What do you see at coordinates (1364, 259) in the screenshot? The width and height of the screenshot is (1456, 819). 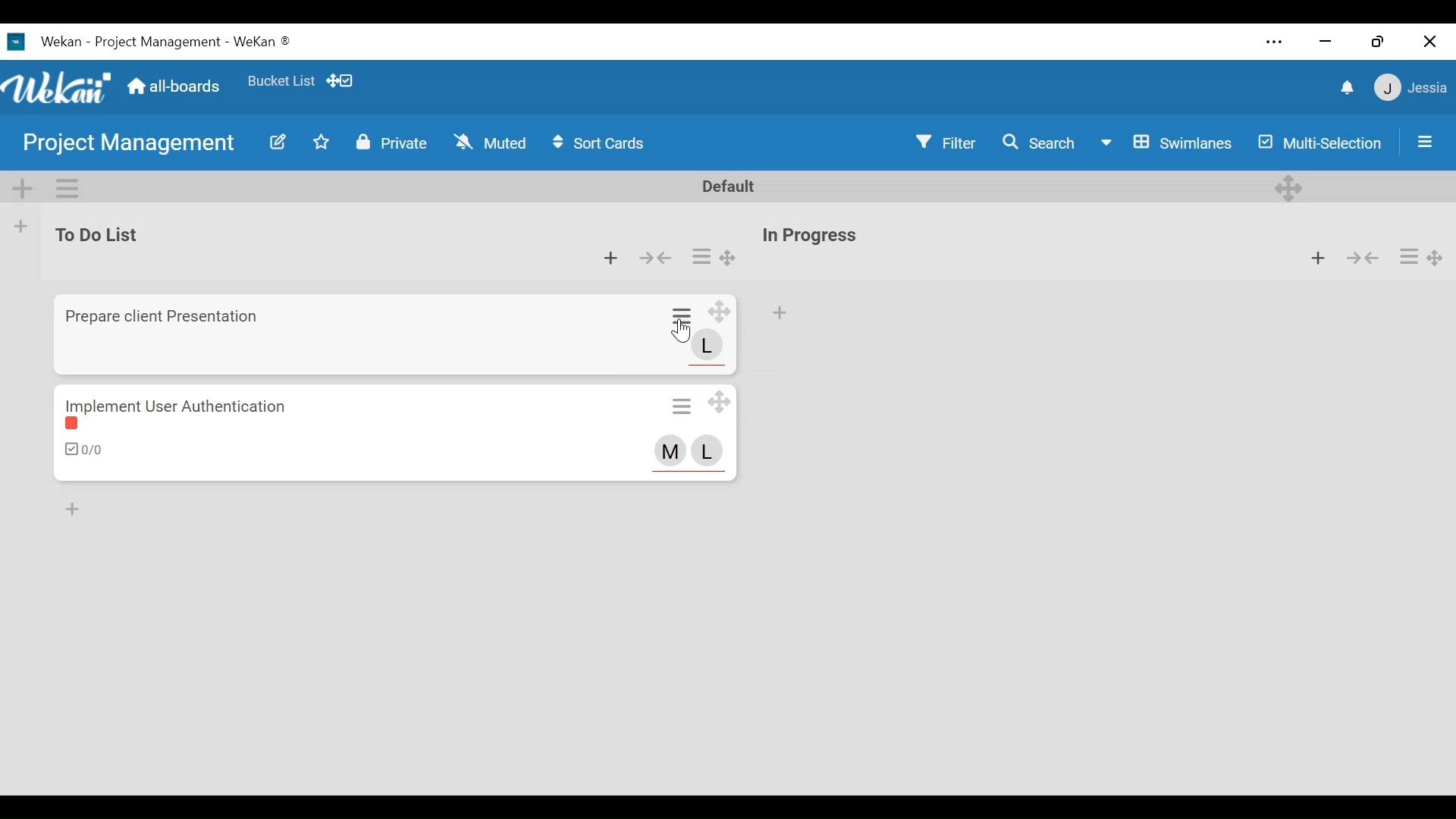 I see `collapse` at bounding box center [1364, 259].